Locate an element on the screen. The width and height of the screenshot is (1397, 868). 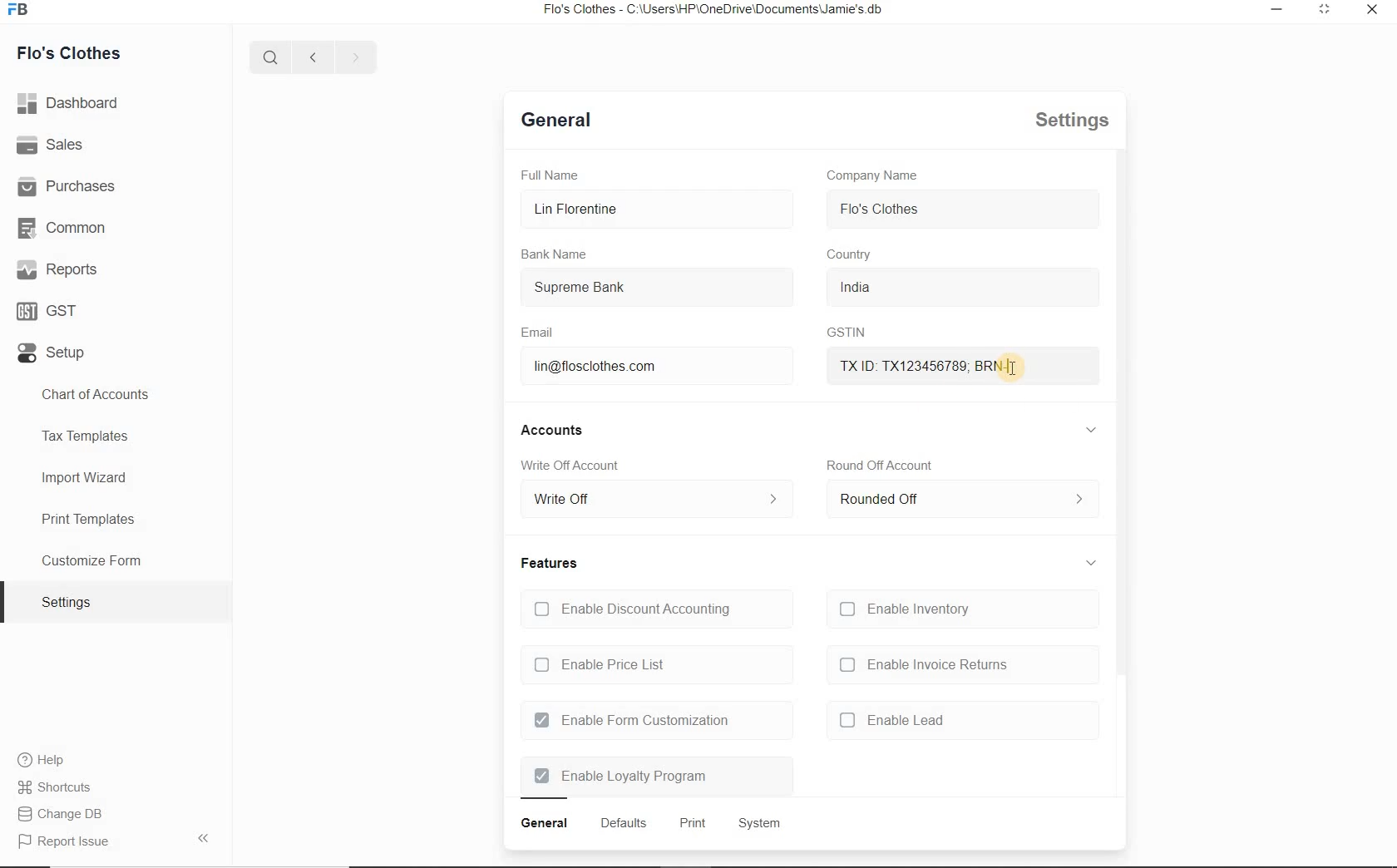
Flo's Clothes is located at coordinates (72, 52).